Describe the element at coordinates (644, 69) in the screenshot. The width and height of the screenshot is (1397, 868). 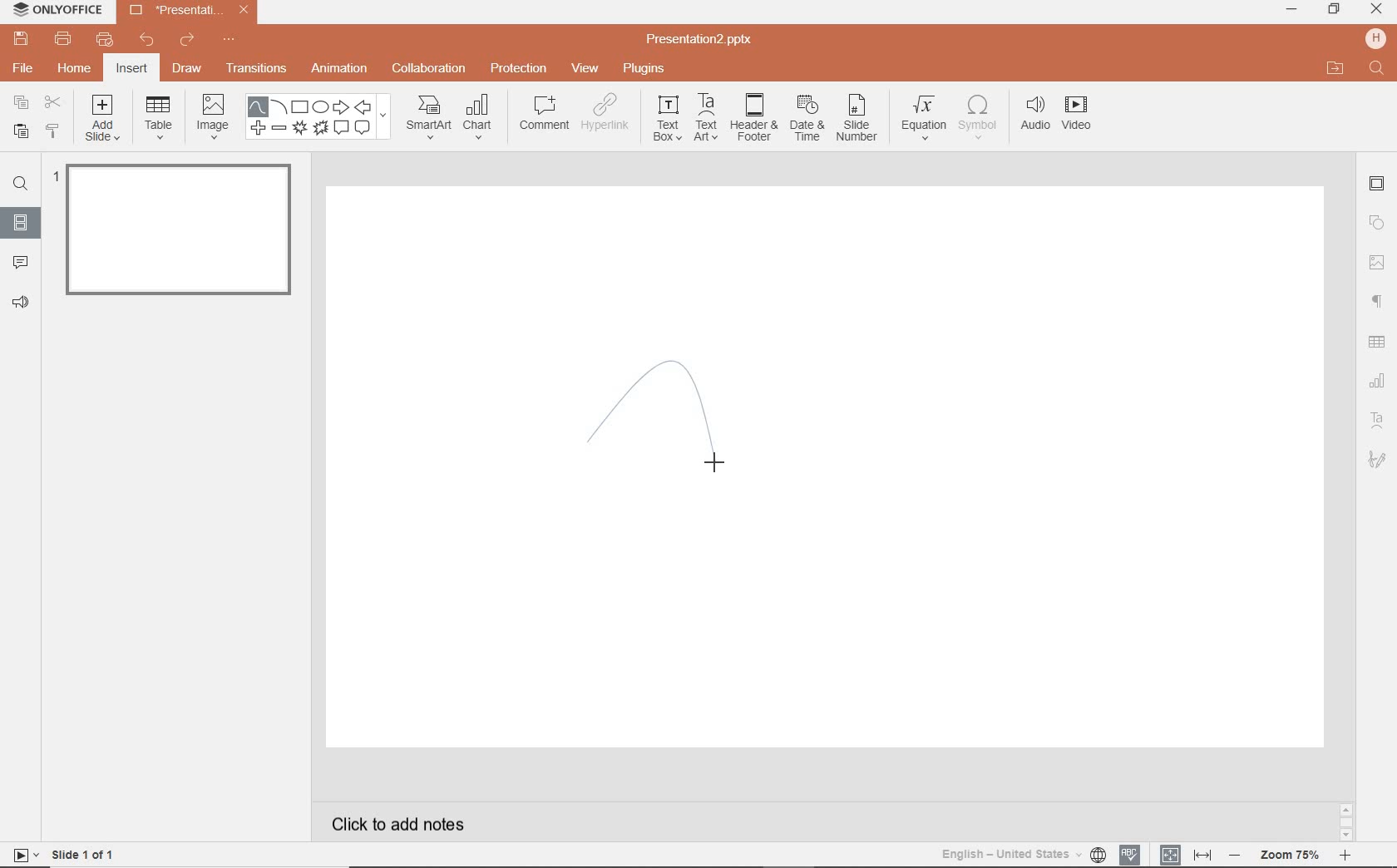
I see `PLUGINS` at that location.